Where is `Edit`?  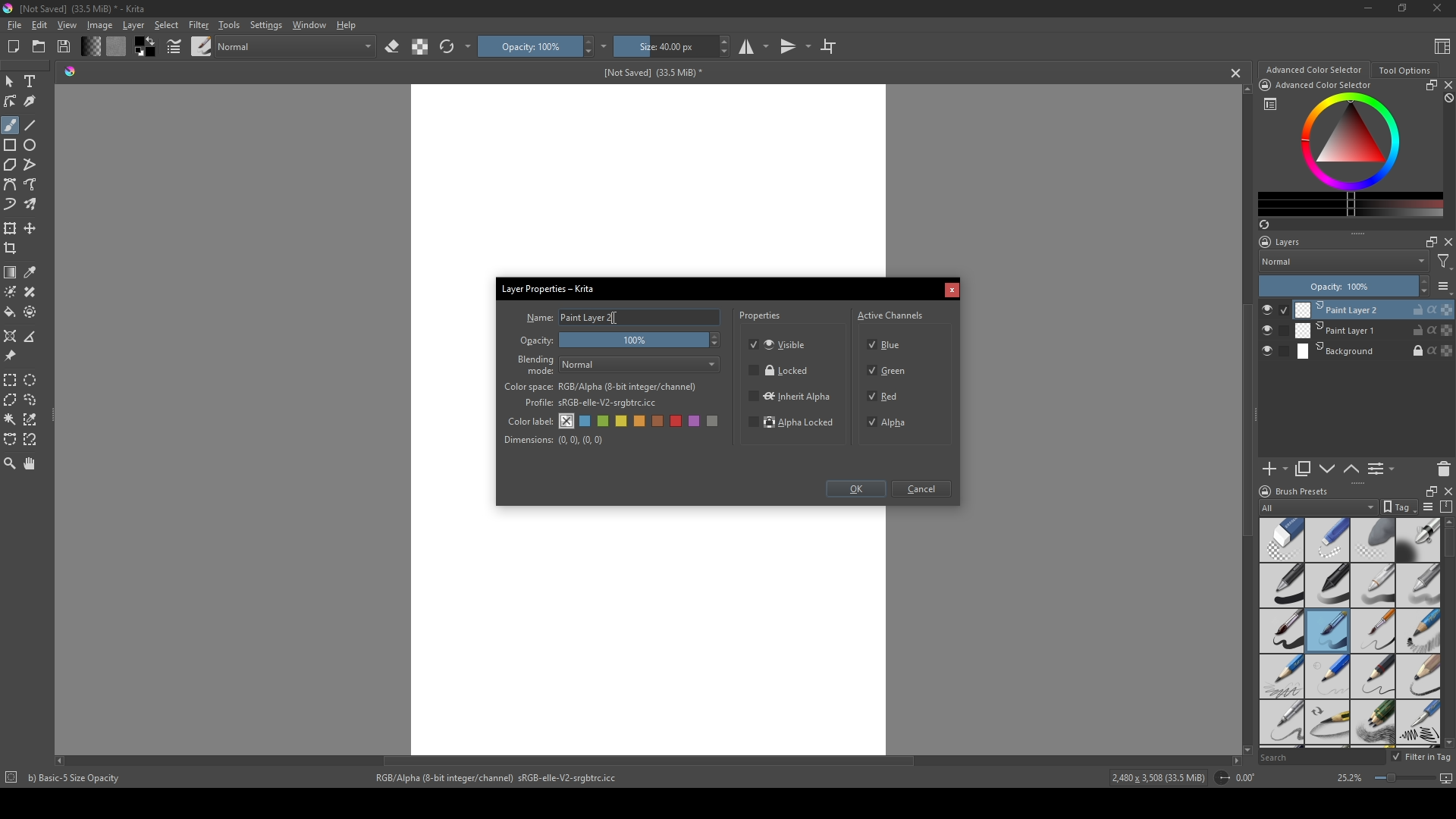 Edit is located at coordinates (39, 25).